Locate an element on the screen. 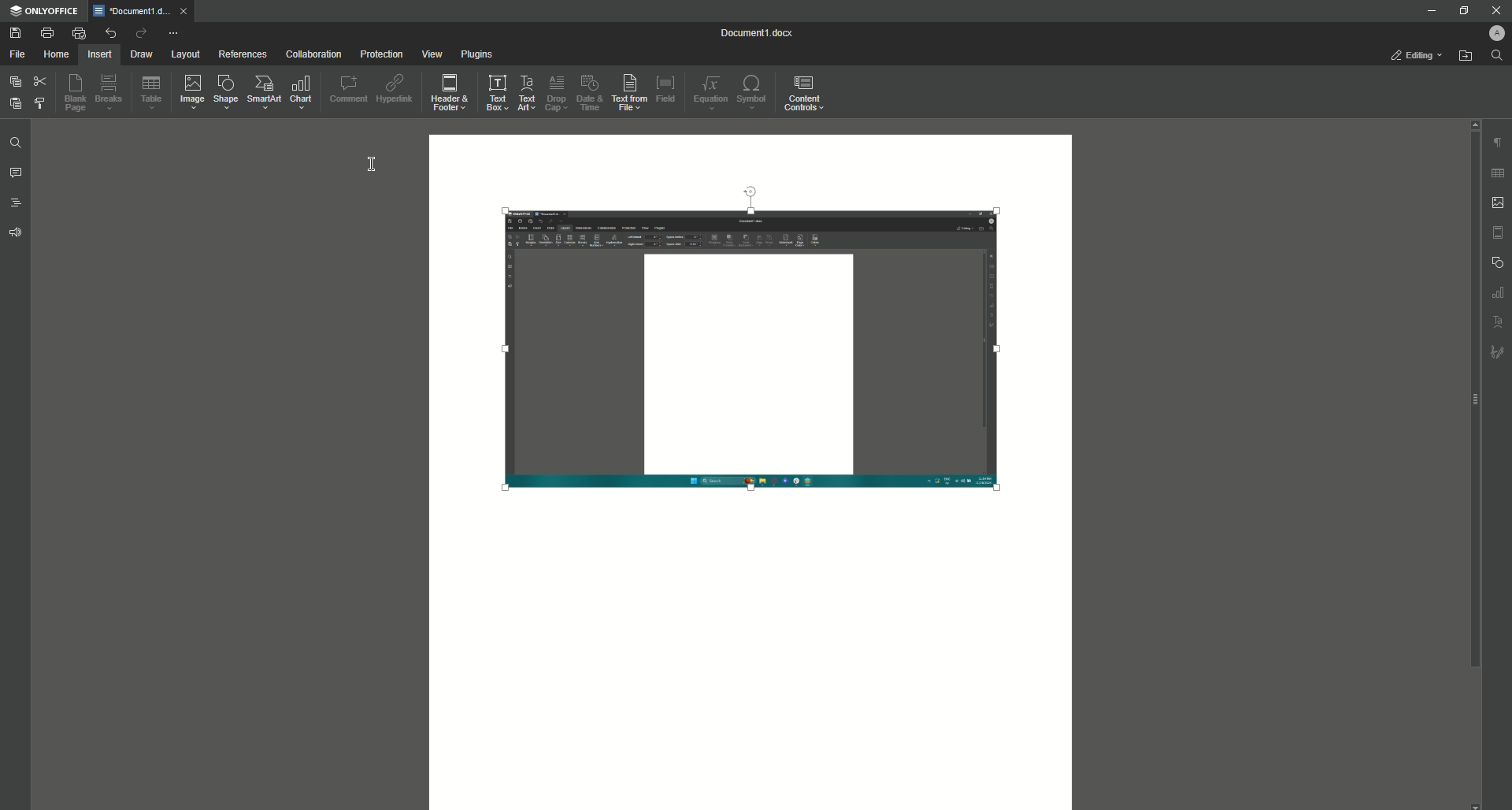 The width and height of the screenshot is (1512, 810). close is located at coordinates (184, 10).